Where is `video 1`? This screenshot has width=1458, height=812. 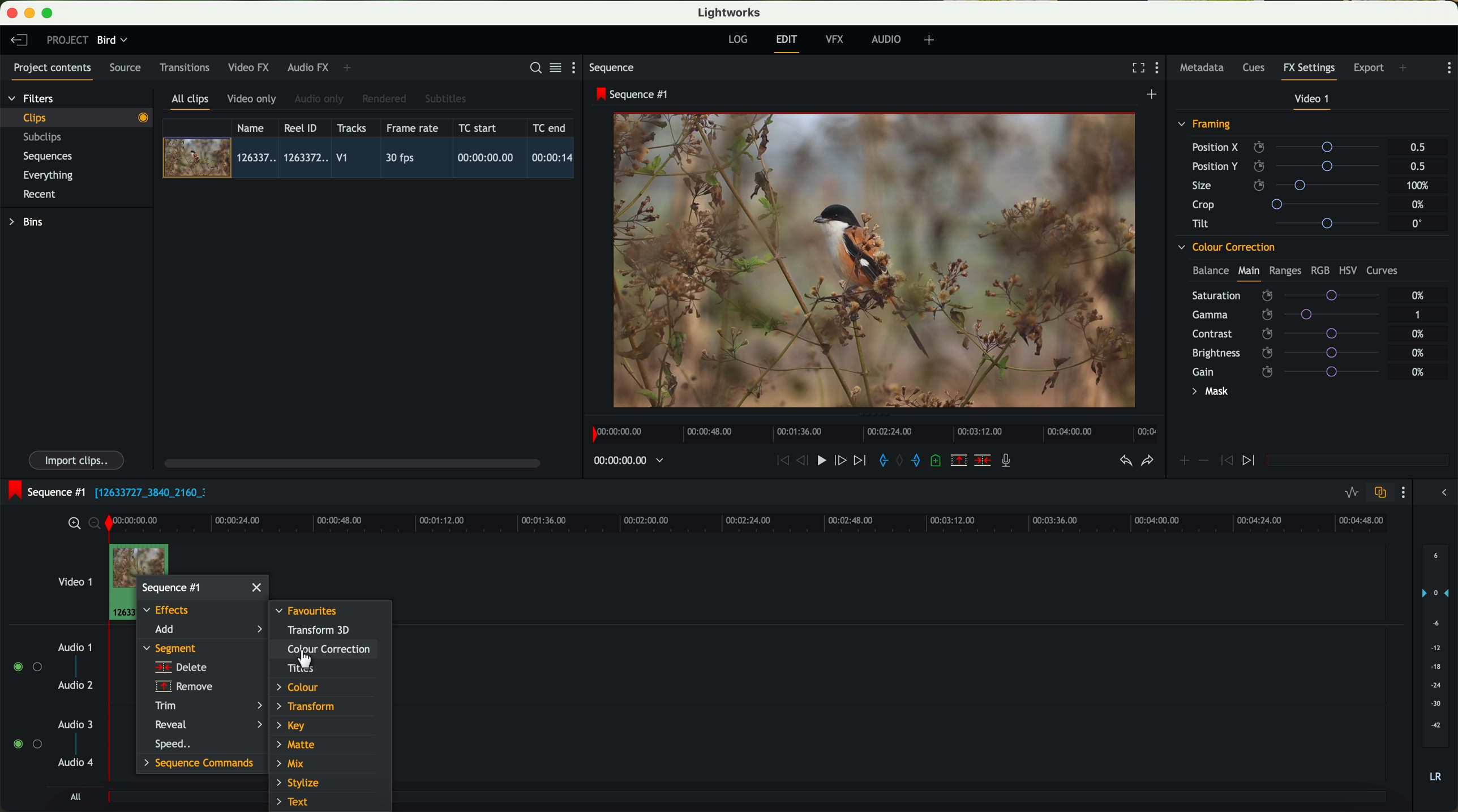 video 1 is located at coordinates (74, 579).